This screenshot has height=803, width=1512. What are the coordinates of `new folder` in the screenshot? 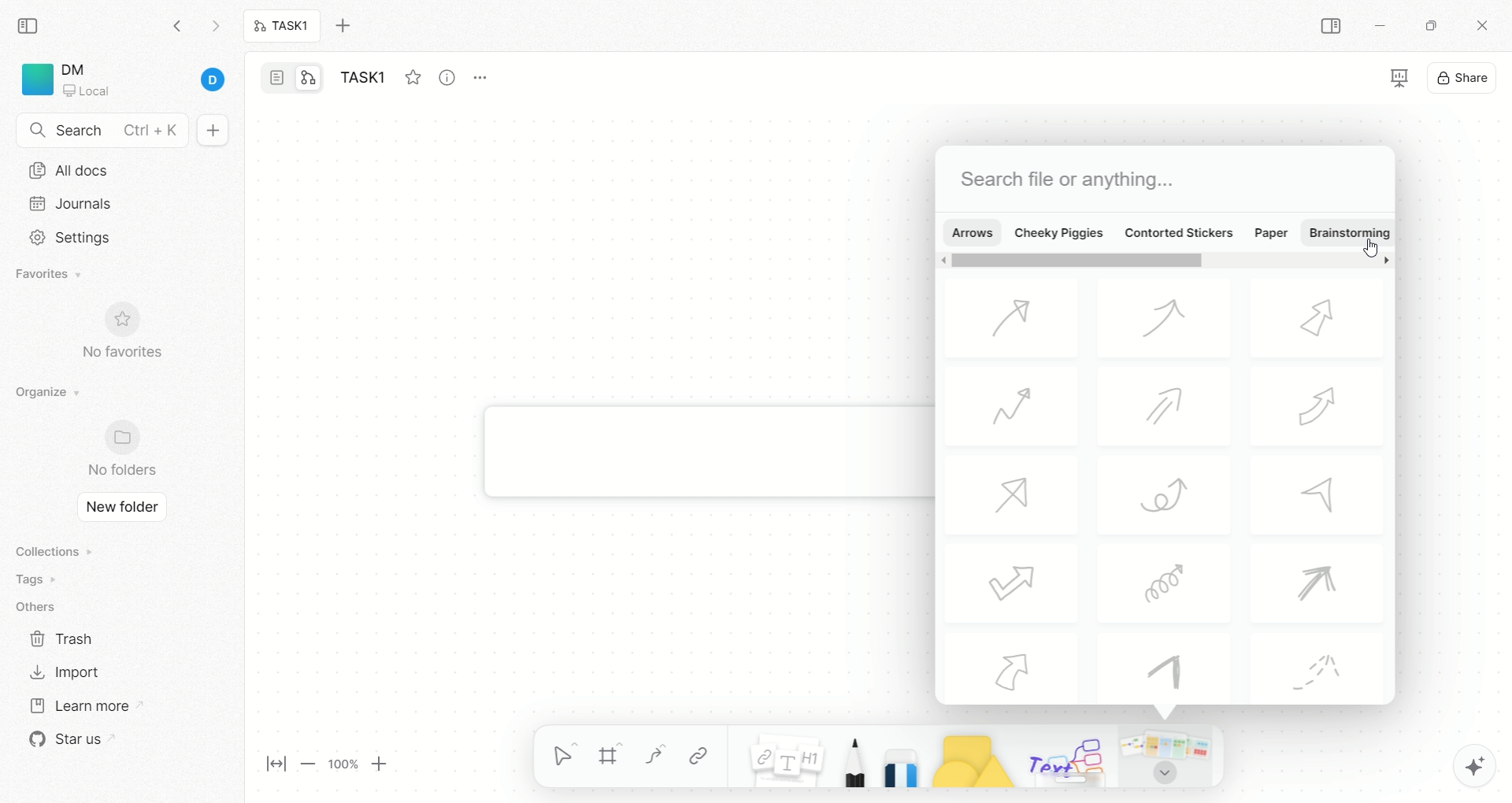 It's located at (117, 509).